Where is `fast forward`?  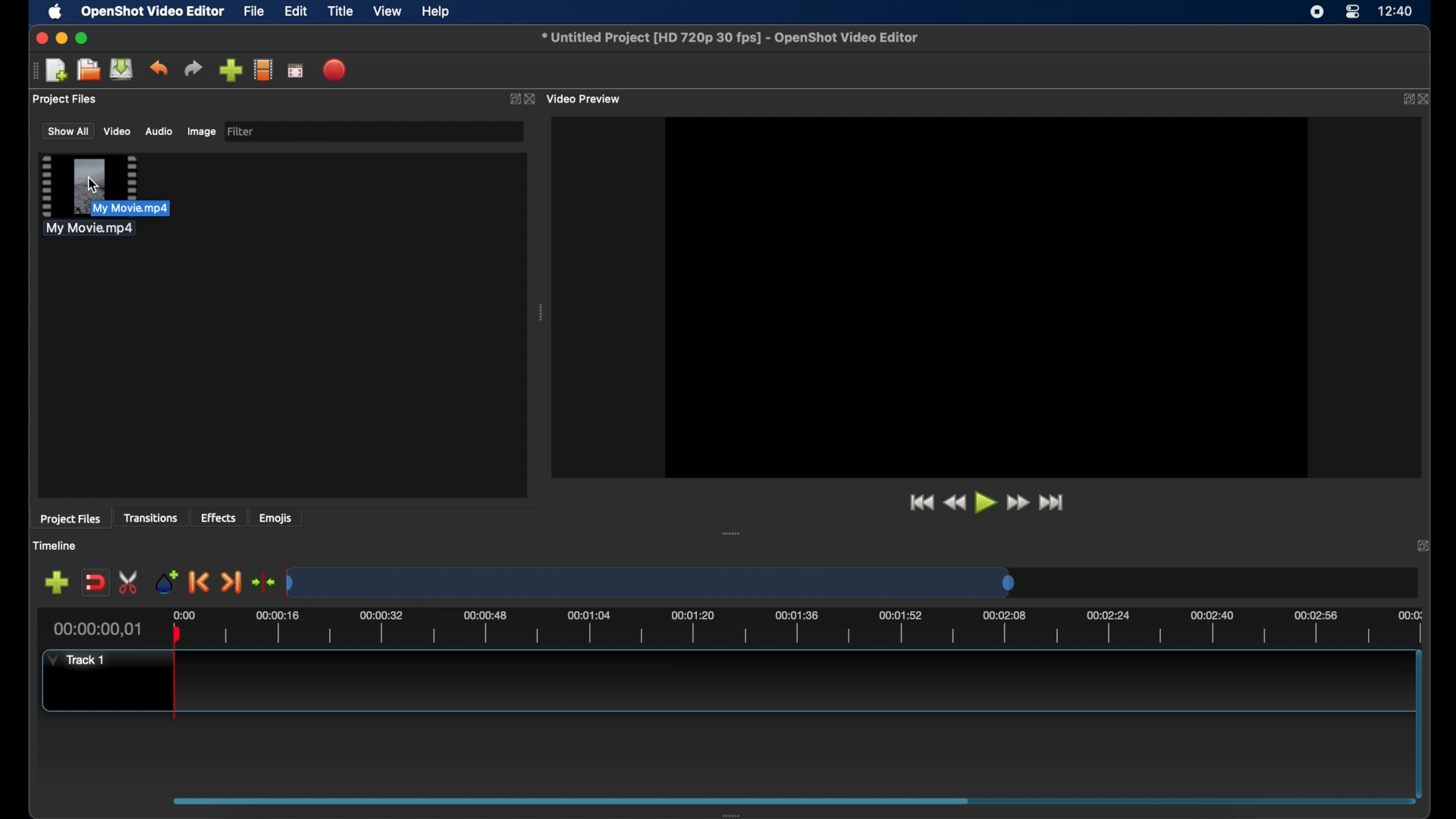
fast forward is located at coordinates (1018, 503).